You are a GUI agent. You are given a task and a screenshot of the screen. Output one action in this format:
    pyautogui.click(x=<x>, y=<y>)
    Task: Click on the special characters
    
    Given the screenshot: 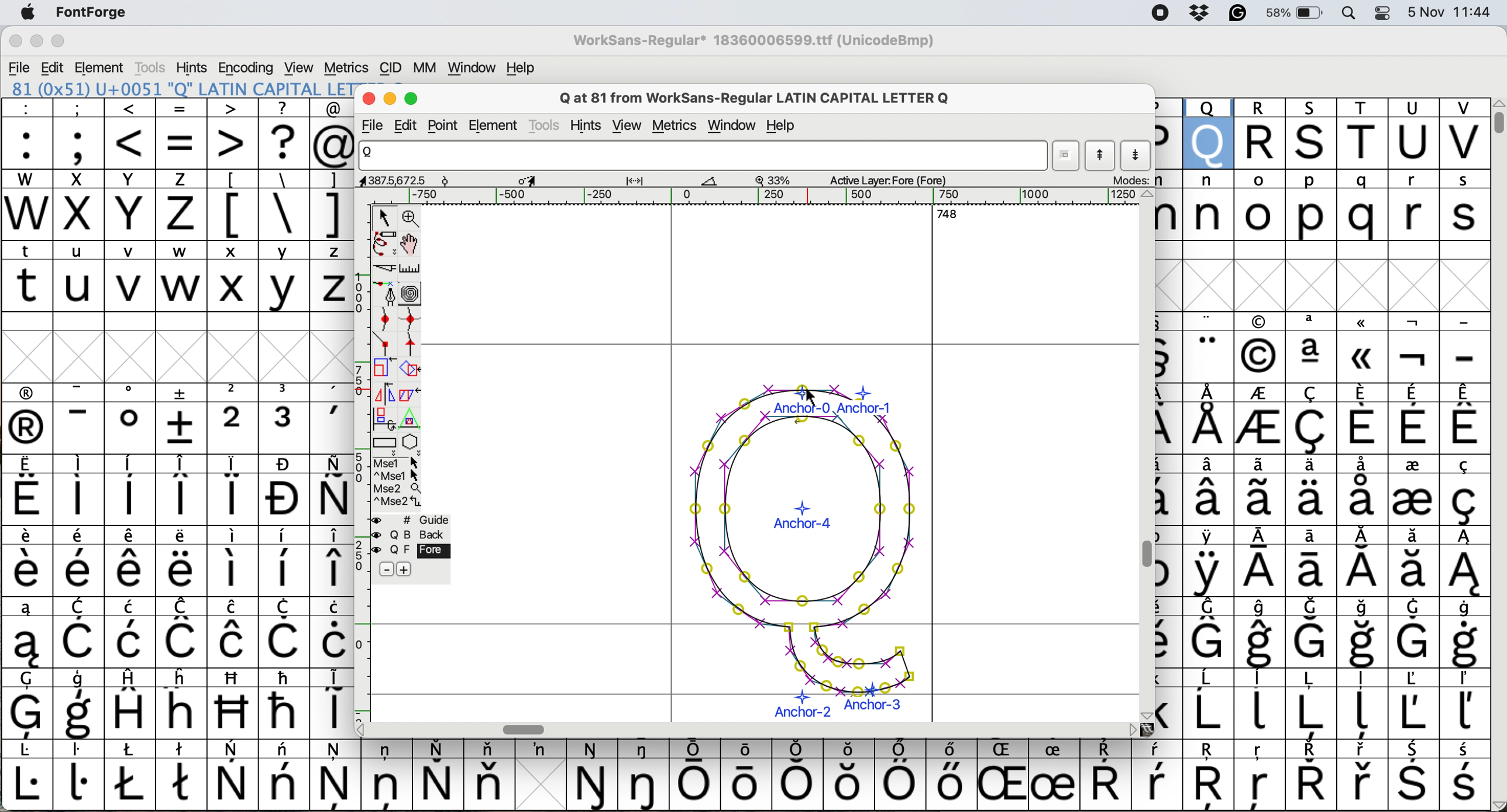 What is the action you would take?
    pyautogui.click(x=1323, y=524)
    